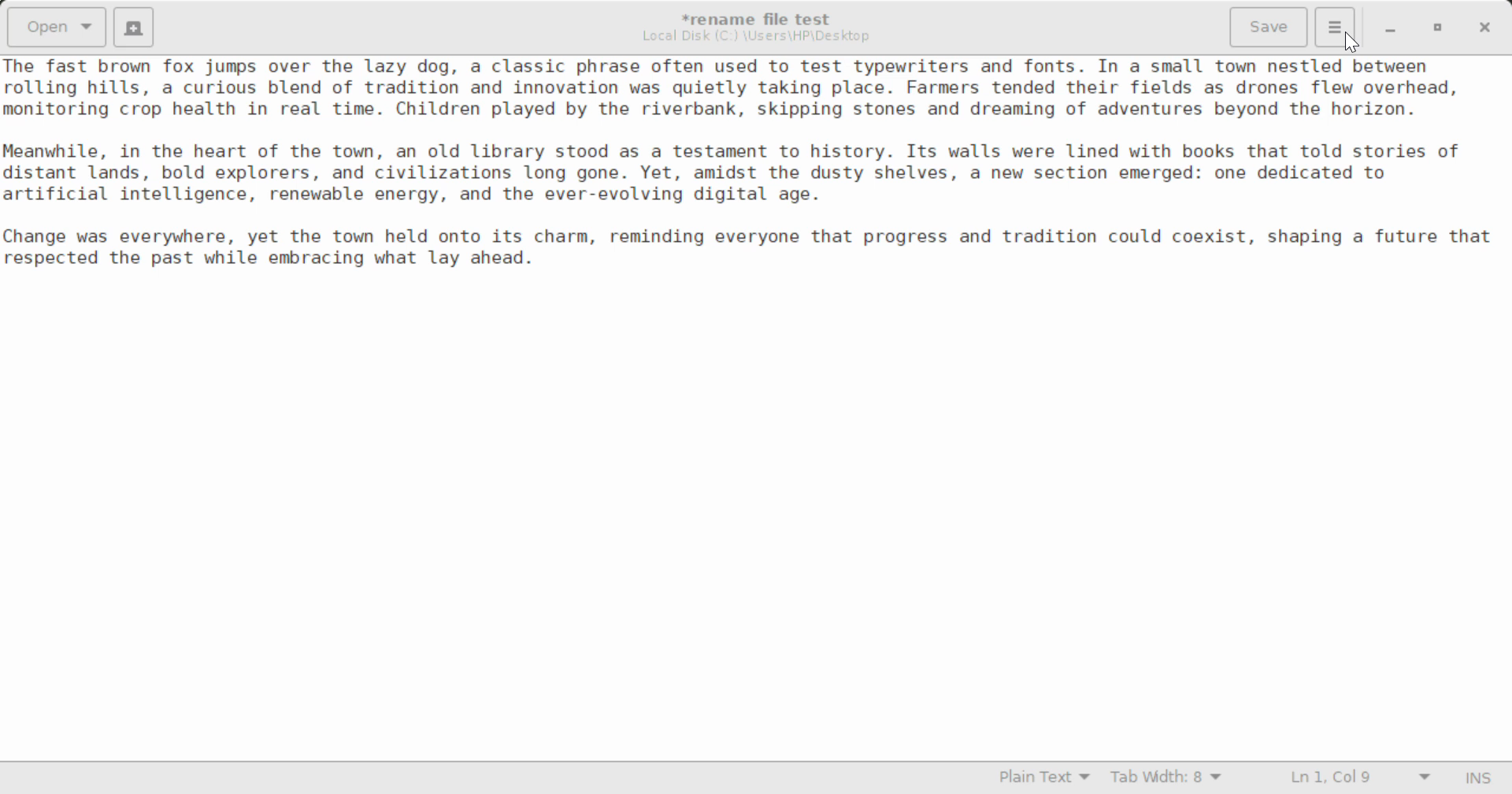 Image resolution: width=1512 pixels, height=794 pixels. I want to click on Cursor Position, so click(1348, 40).